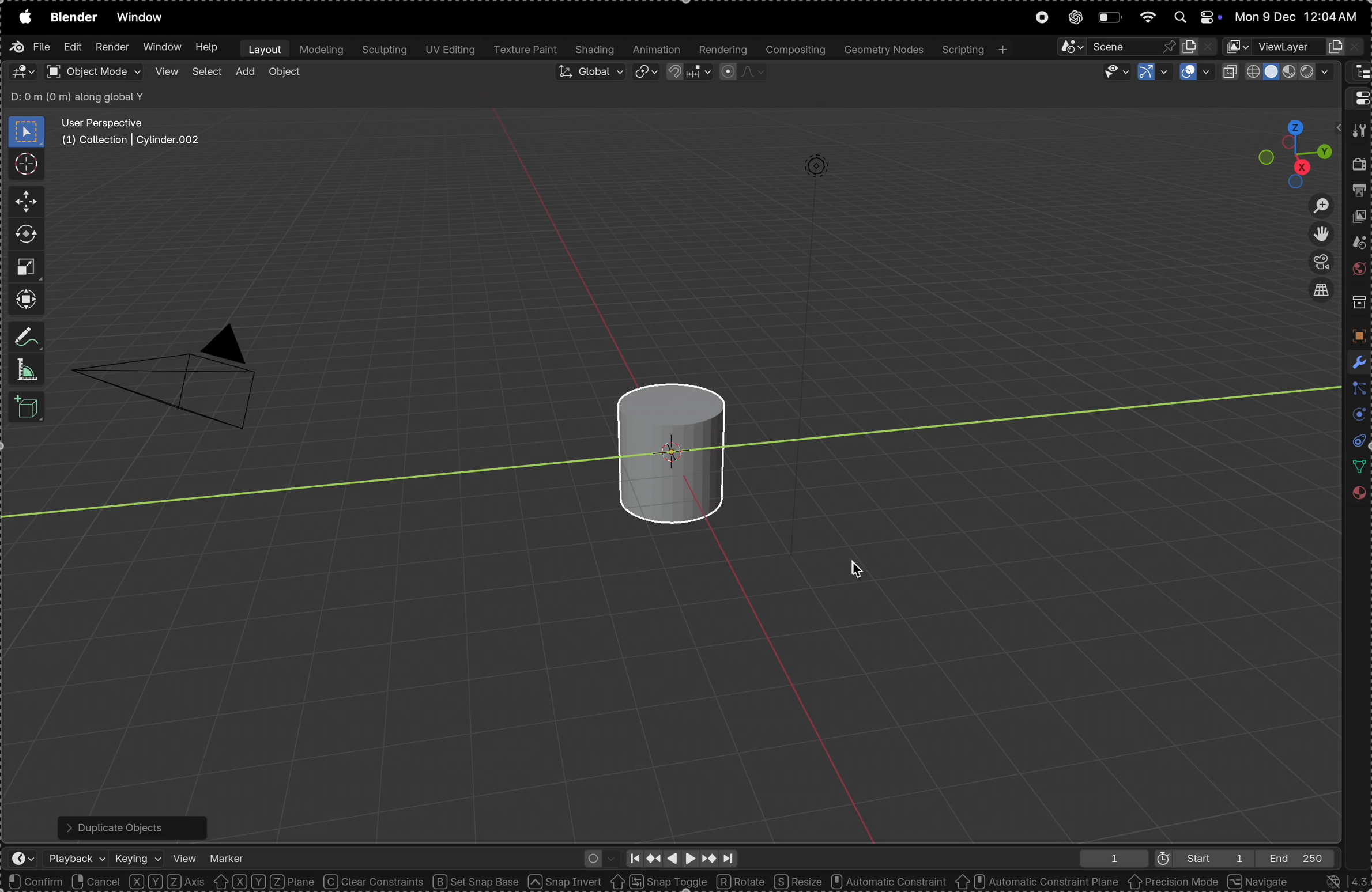  Describe the element at coordinates (1197, 857) in the screenshot. I see `start 1` at that location.